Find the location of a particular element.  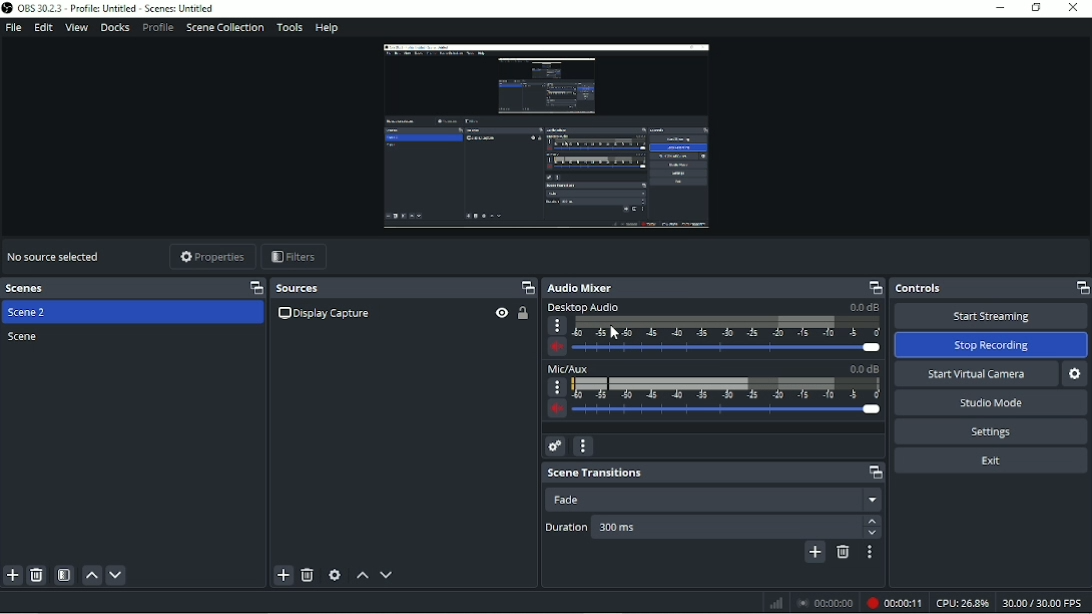

Start virtual camera is located at coordinates (975, 373).